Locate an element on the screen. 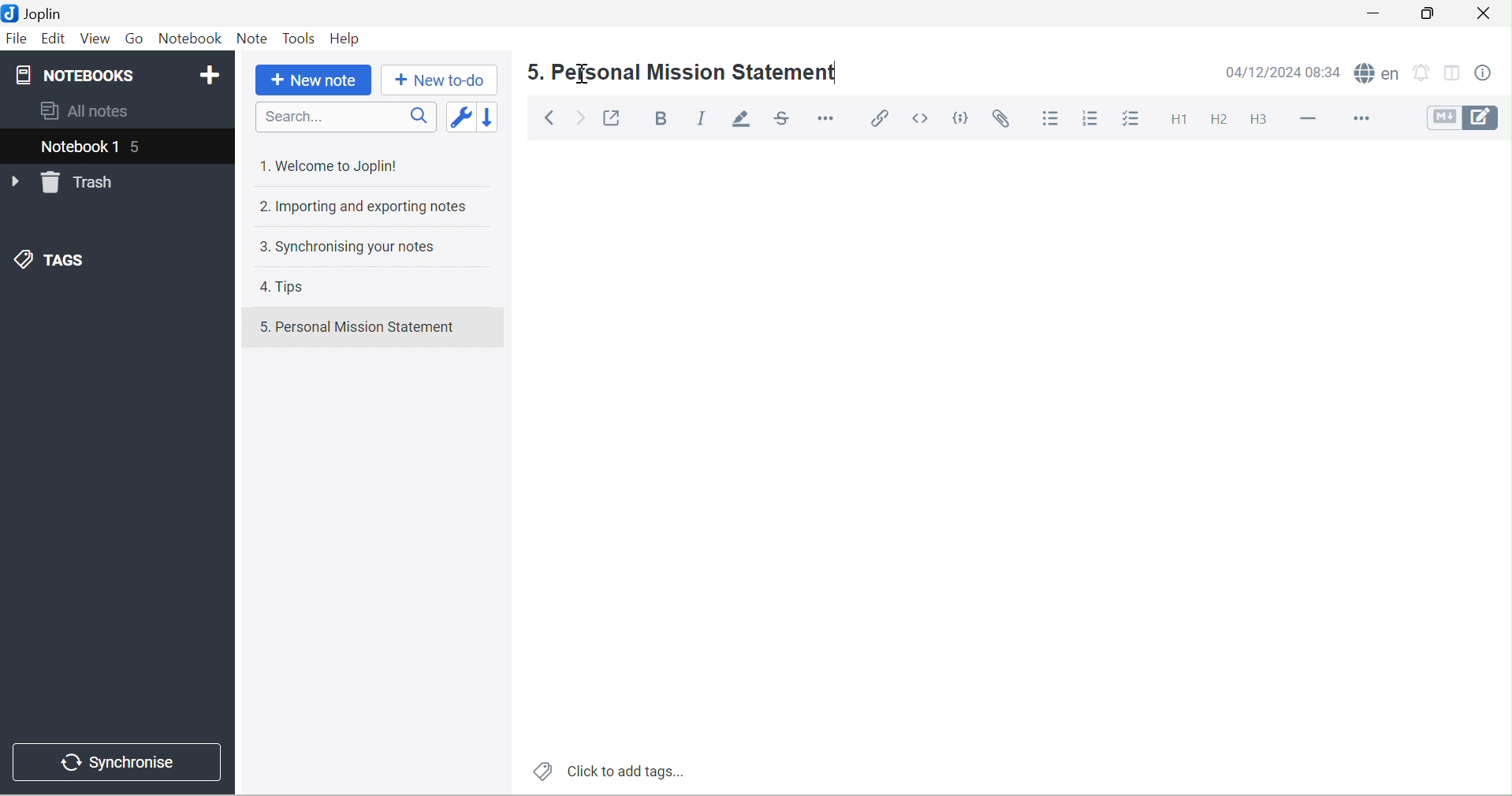 This screenshot has width=1512, height=796. Note properties is located at coordinates (1493, 73).